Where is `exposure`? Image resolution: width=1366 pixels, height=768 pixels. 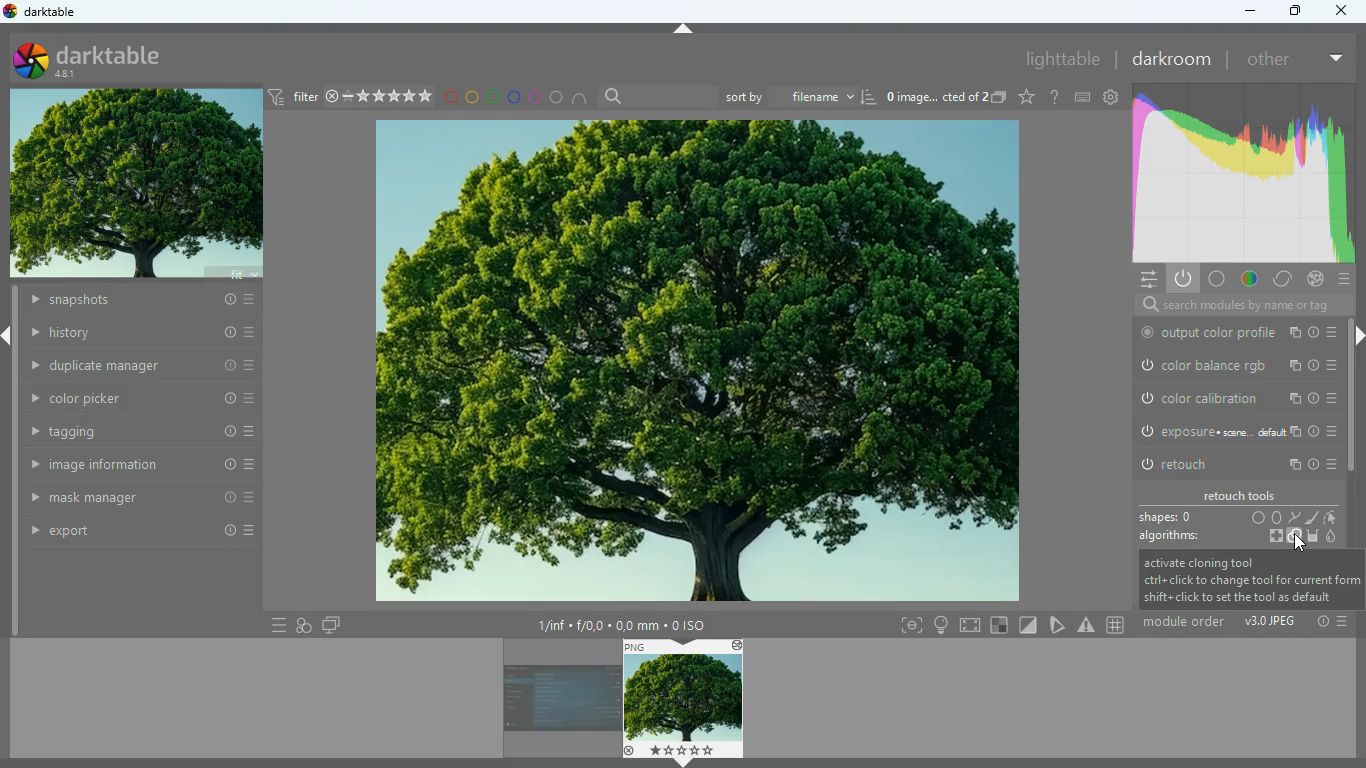
exposure is located at coordinates (1232, 431).